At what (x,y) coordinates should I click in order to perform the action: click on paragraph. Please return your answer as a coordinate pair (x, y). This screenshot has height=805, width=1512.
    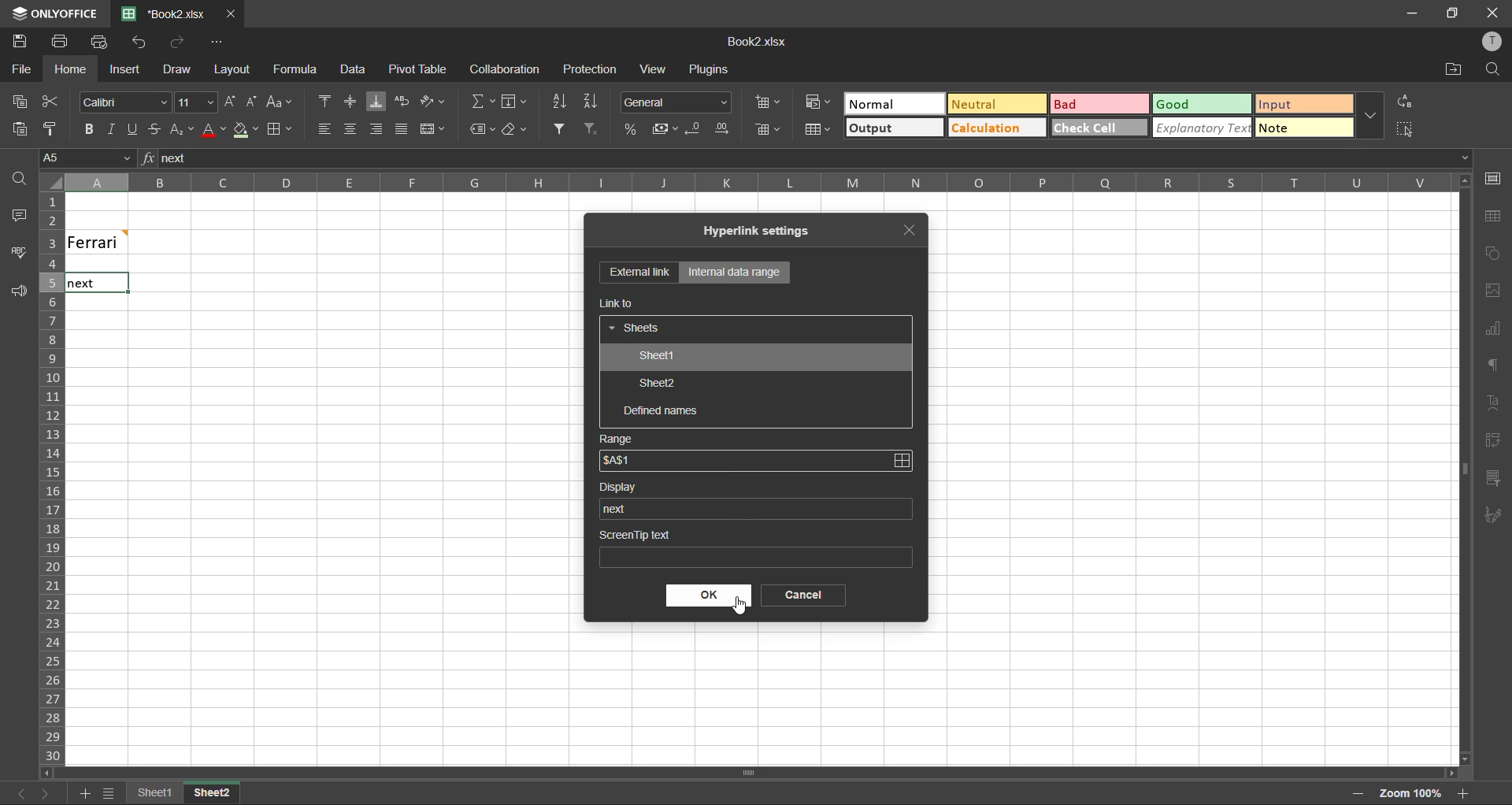
    Looking at the image, I should click on (1494, 367).